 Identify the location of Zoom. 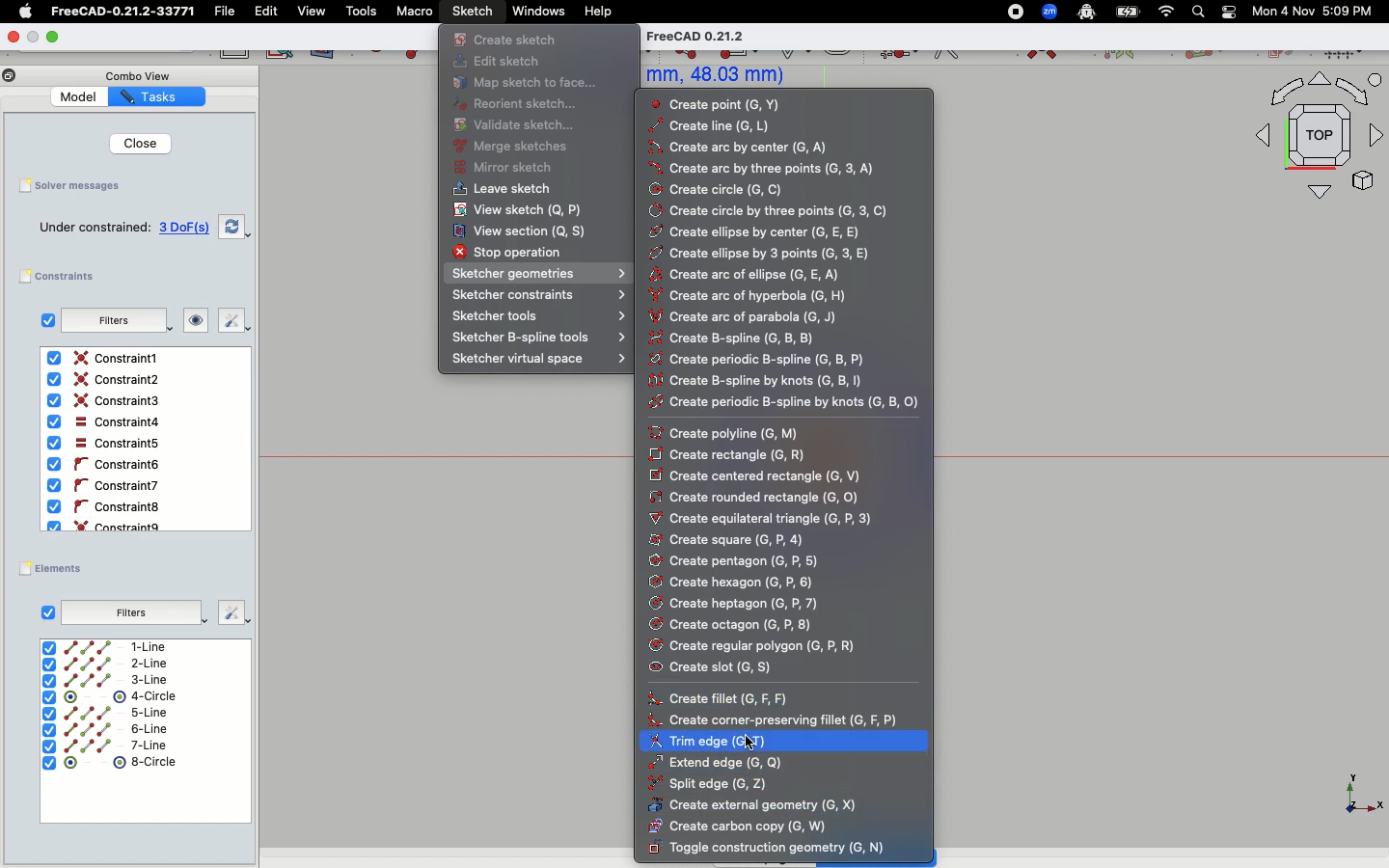
(1050, 12).